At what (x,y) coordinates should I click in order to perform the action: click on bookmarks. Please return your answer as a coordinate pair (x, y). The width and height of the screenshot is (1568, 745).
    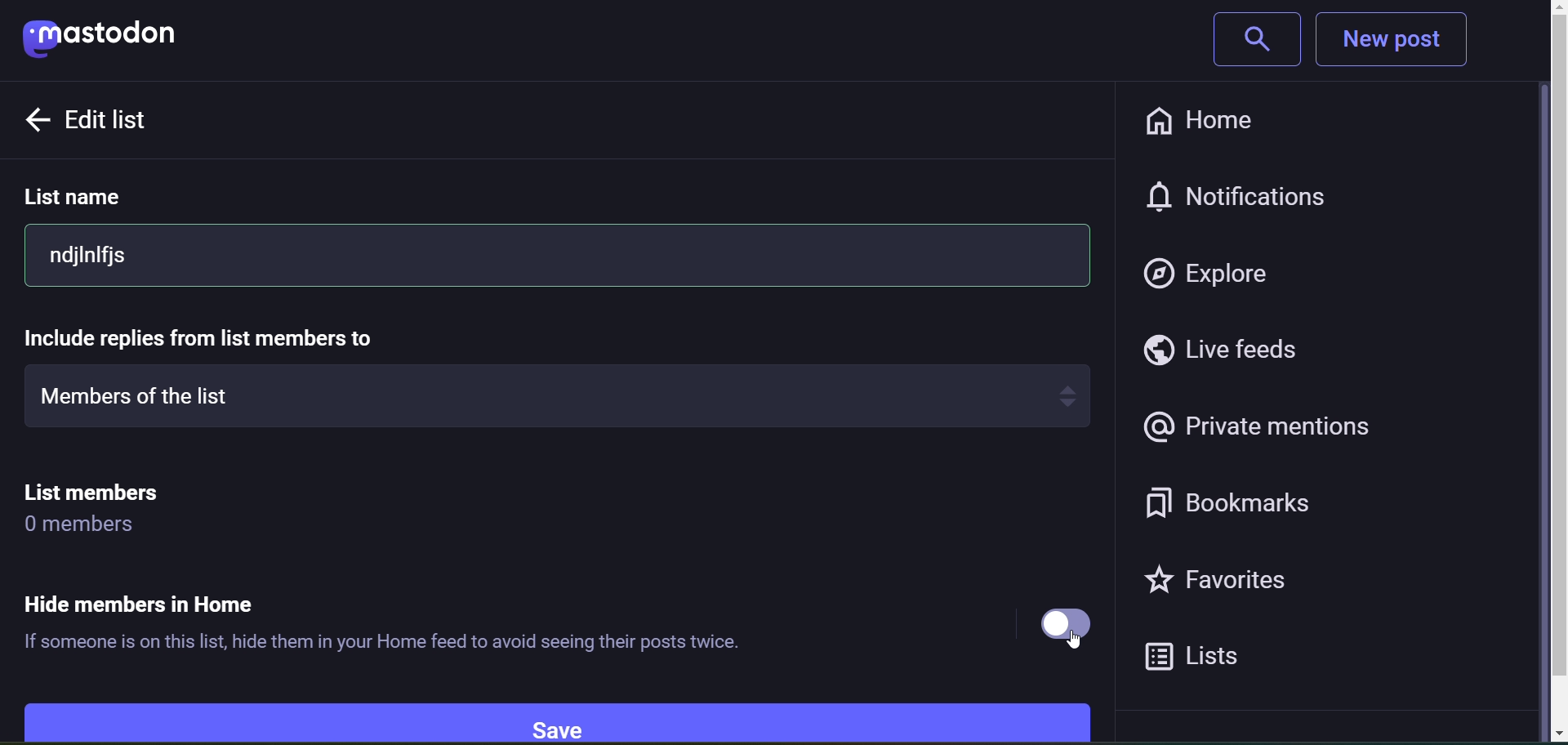
    Looking at the image, I should click on (1250, 503).